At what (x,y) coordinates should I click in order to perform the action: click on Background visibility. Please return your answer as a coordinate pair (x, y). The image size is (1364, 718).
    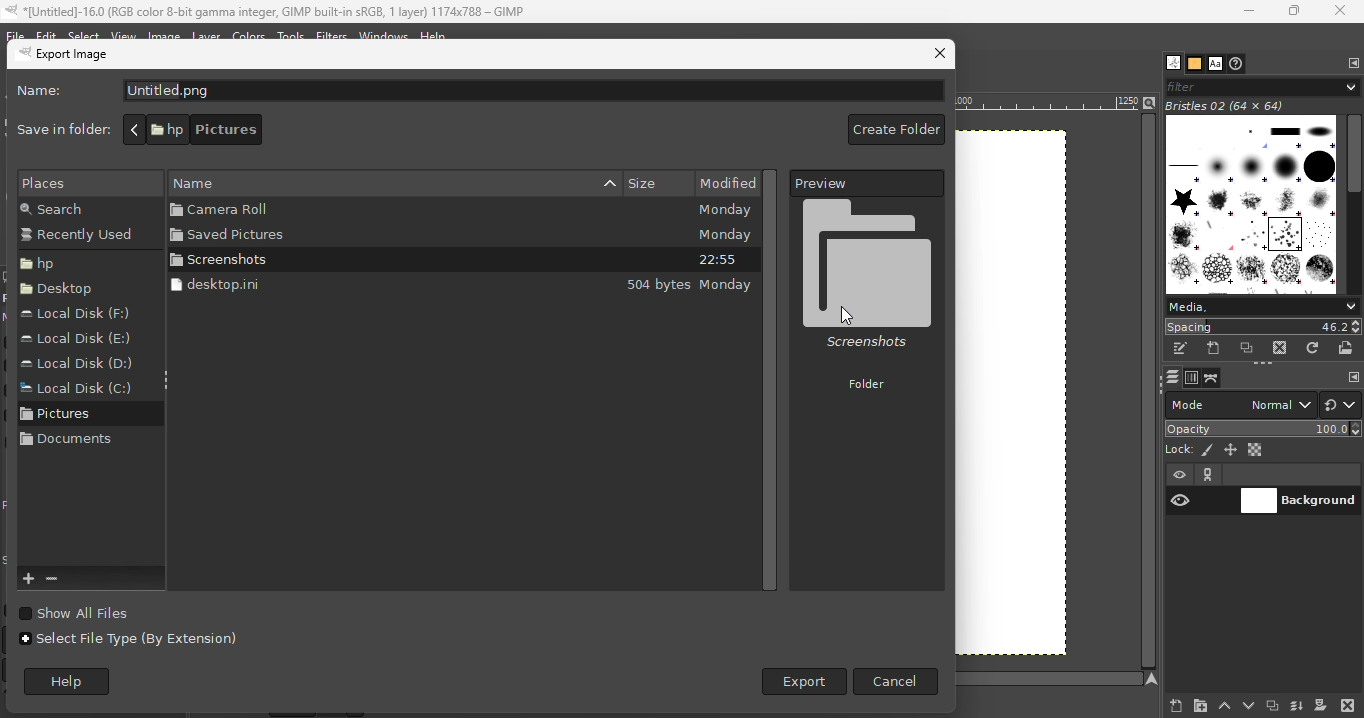
    Looking at the image, I should click on (1300, 502).